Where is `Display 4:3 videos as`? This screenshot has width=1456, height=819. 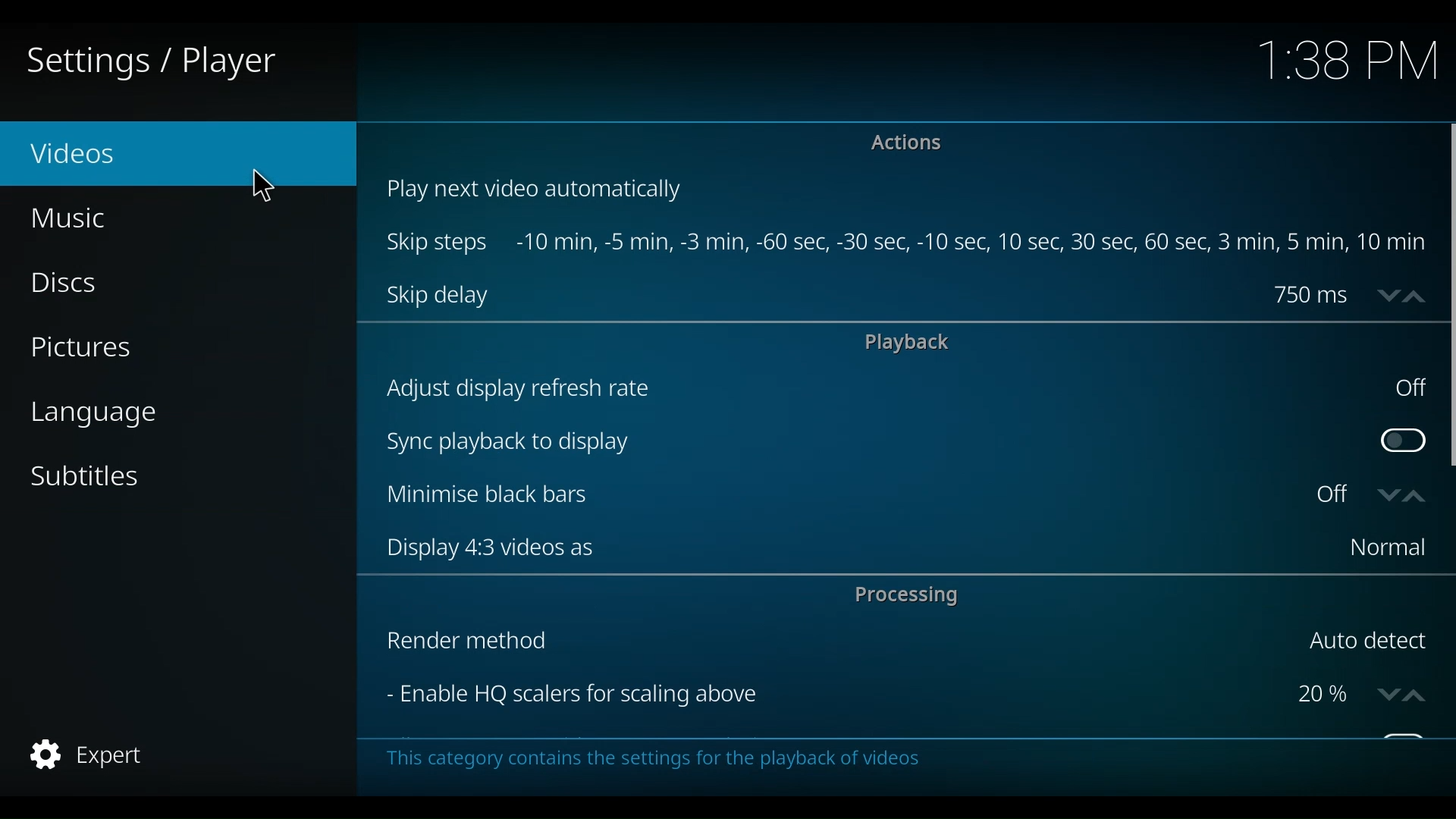 Display 4:3 videos as is located at coordinates (857, 547).